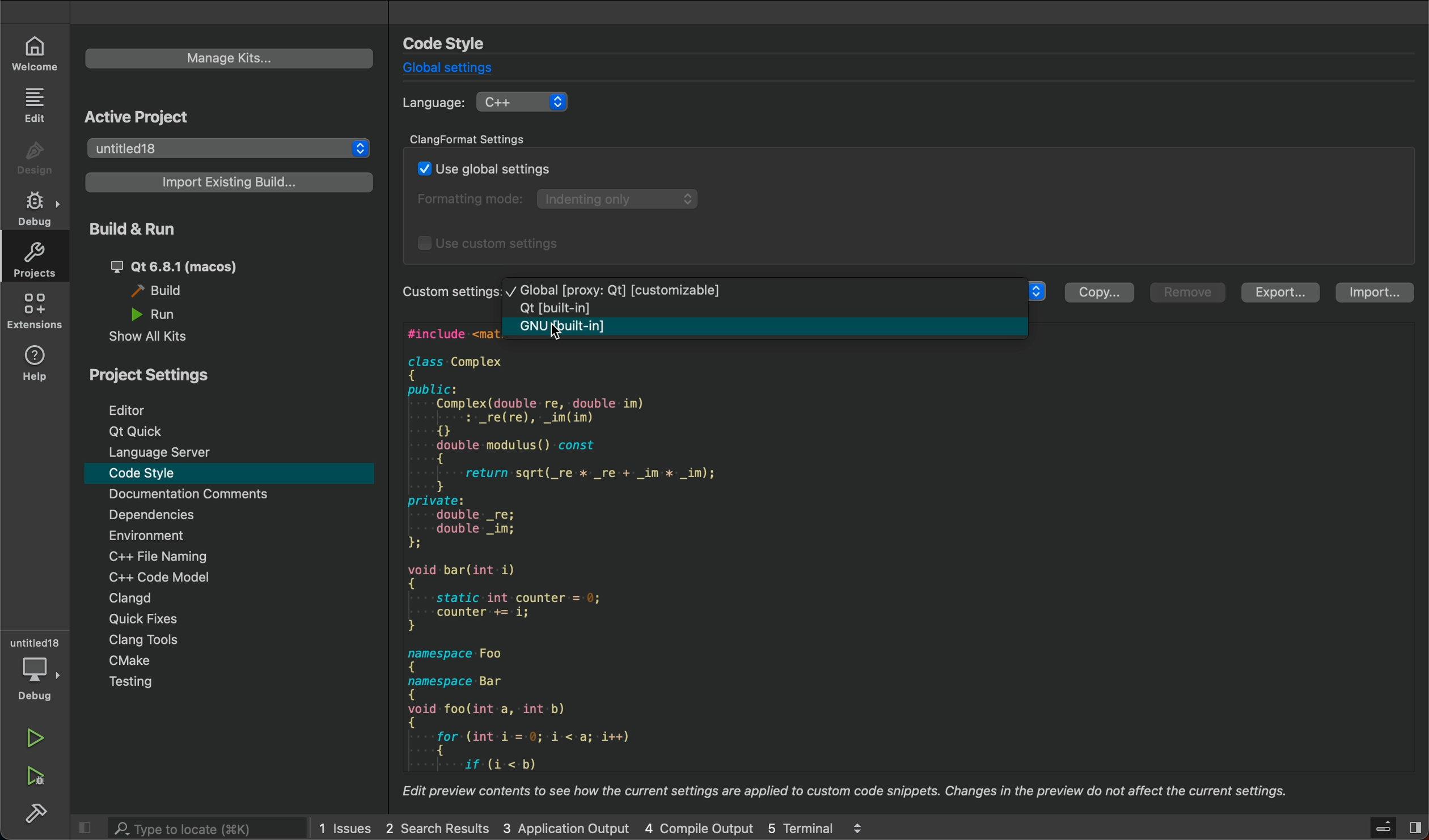 The height and width of the screenshot is (840, 1429). What do you see at coordinates (1101, 292) in the screenshot?
I see `copy` at bounding box center [1101, 292].